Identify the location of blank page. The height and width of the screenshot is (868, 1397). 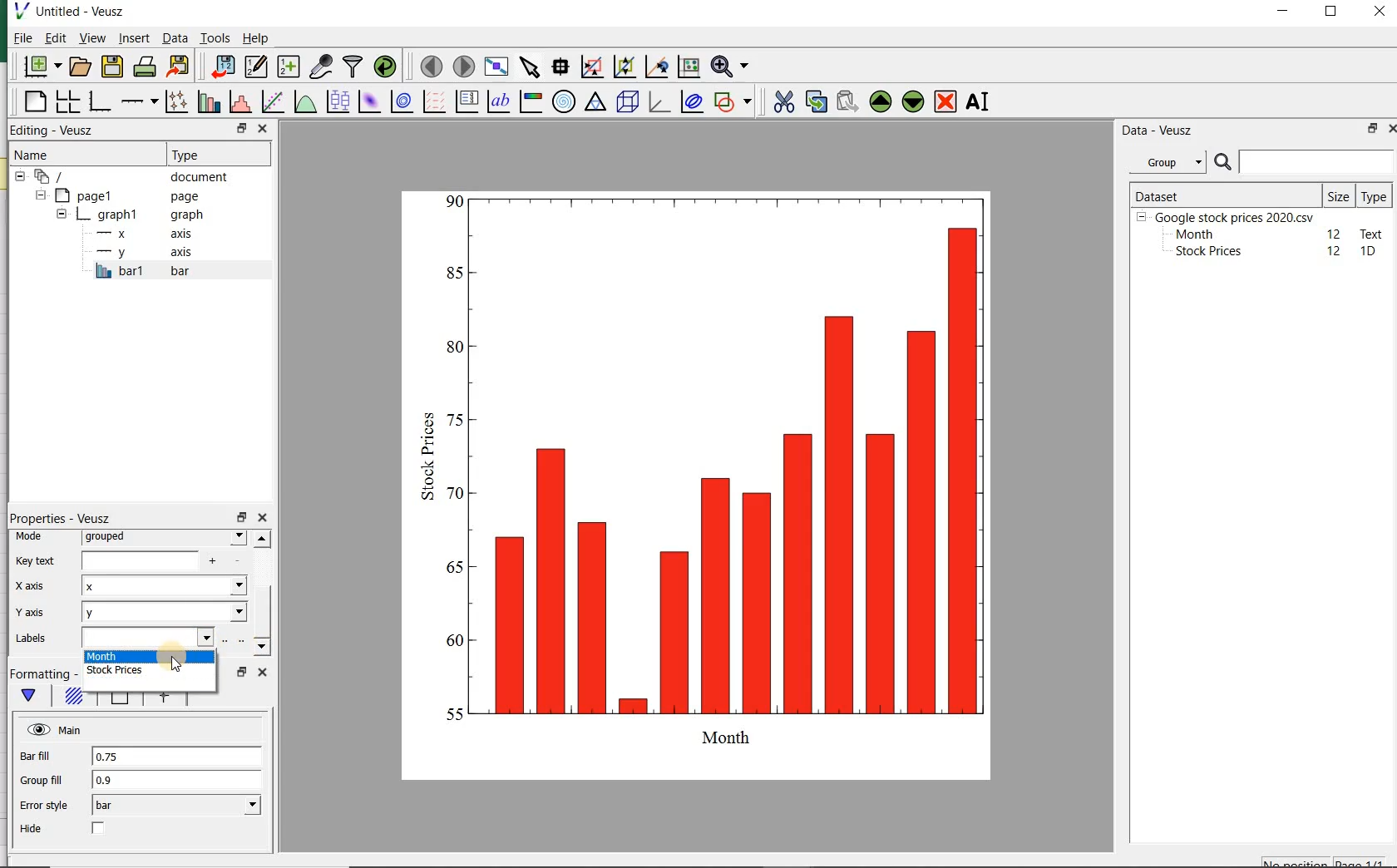
(34, 104).